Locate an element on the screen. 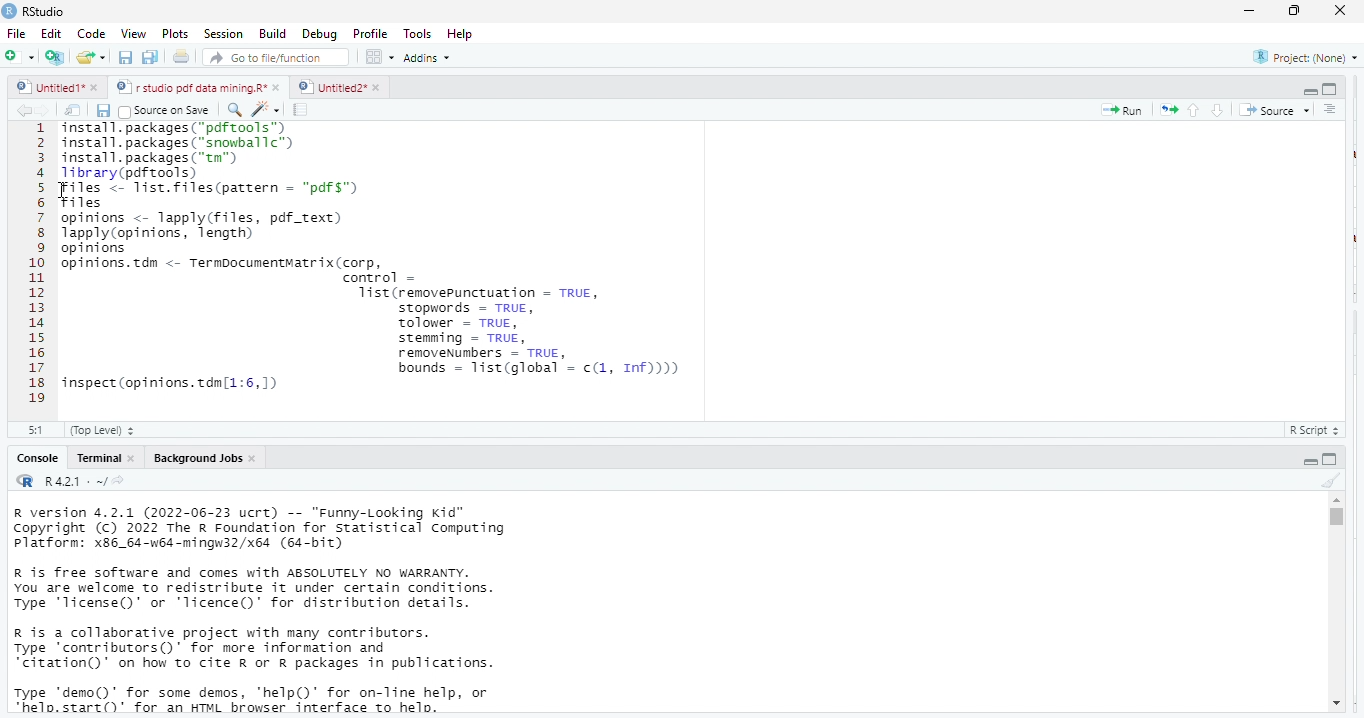  R421: ~/ is located at coordinates (84, 482).